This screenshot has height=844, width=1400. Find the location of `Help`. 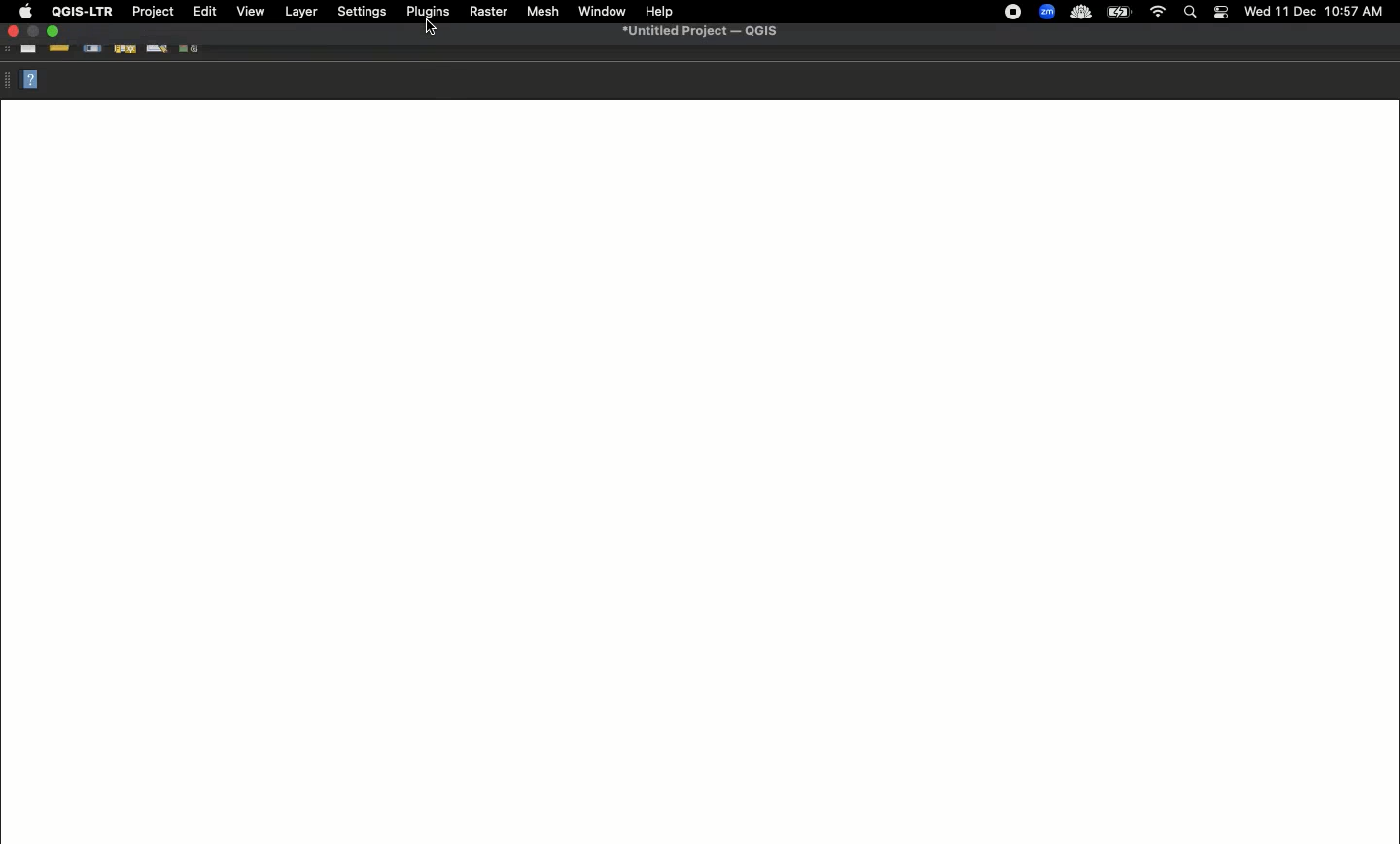

Help is located at coordinates (30, 82).